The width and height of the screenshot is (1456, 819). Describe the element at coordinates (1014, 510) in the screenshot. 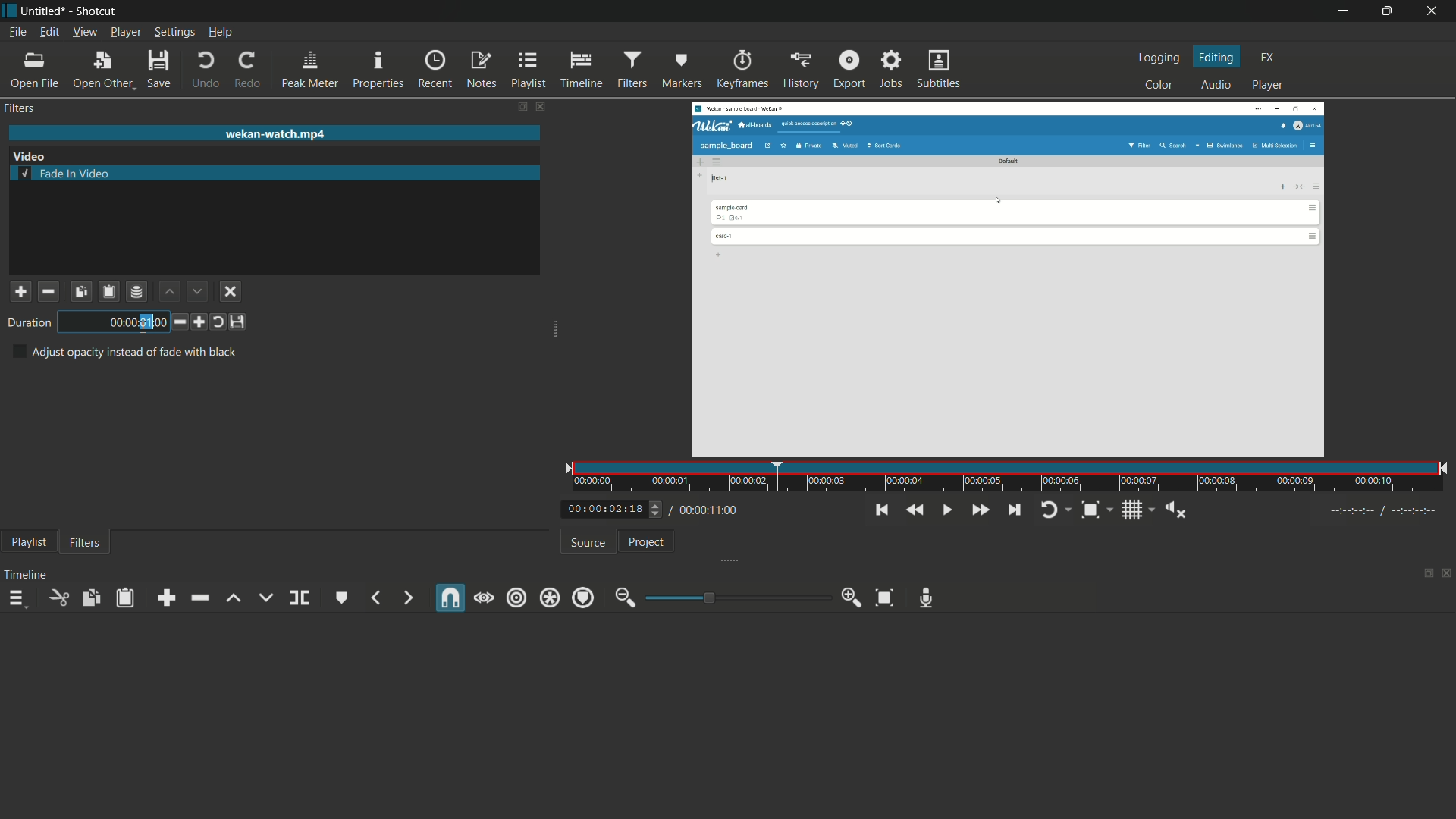

I see `skip to the next point` at that location.